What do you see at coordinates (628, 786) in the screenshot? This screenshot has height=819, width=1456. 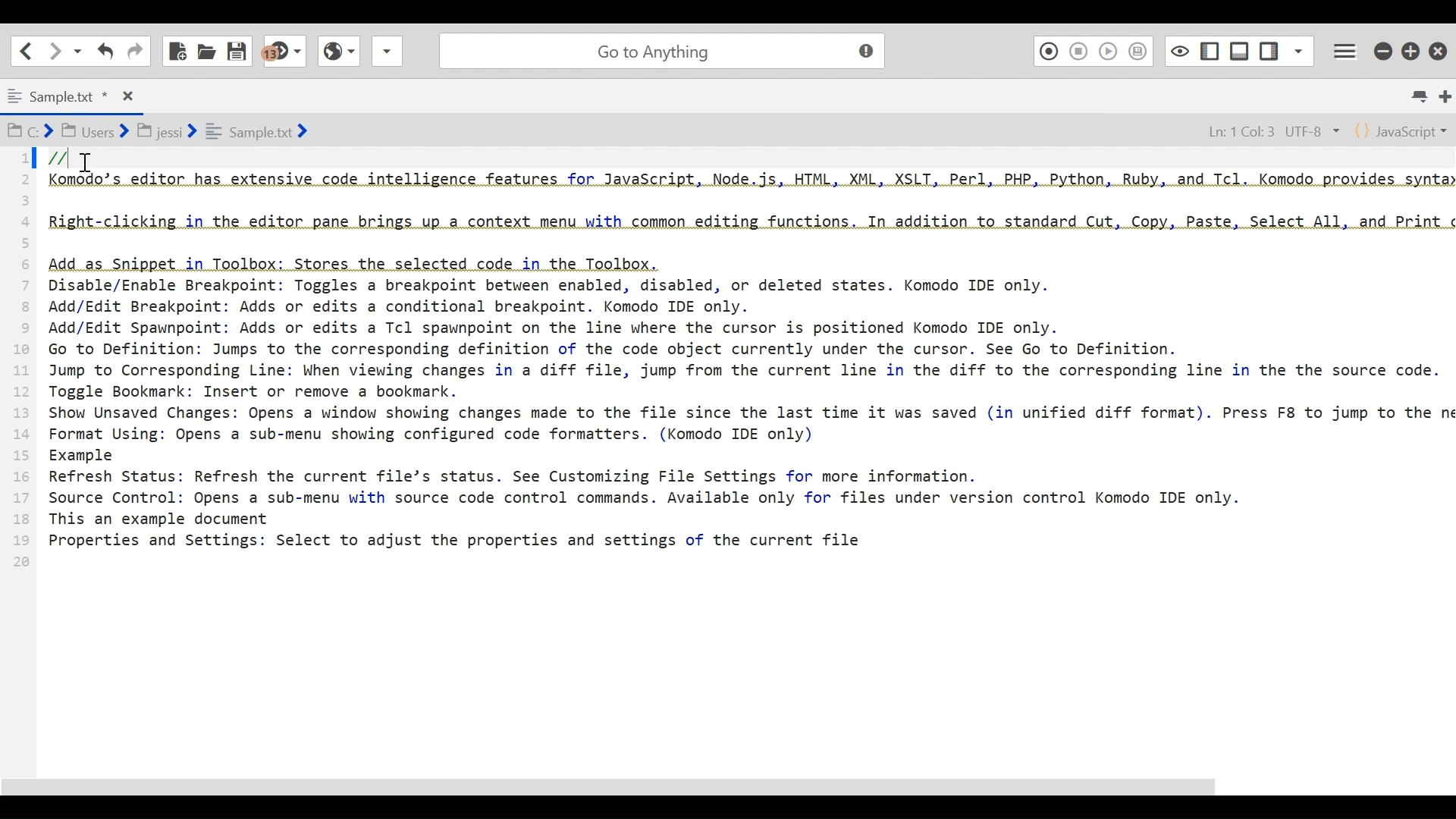 I see `scroll bar` at bounding box center [628, 786].